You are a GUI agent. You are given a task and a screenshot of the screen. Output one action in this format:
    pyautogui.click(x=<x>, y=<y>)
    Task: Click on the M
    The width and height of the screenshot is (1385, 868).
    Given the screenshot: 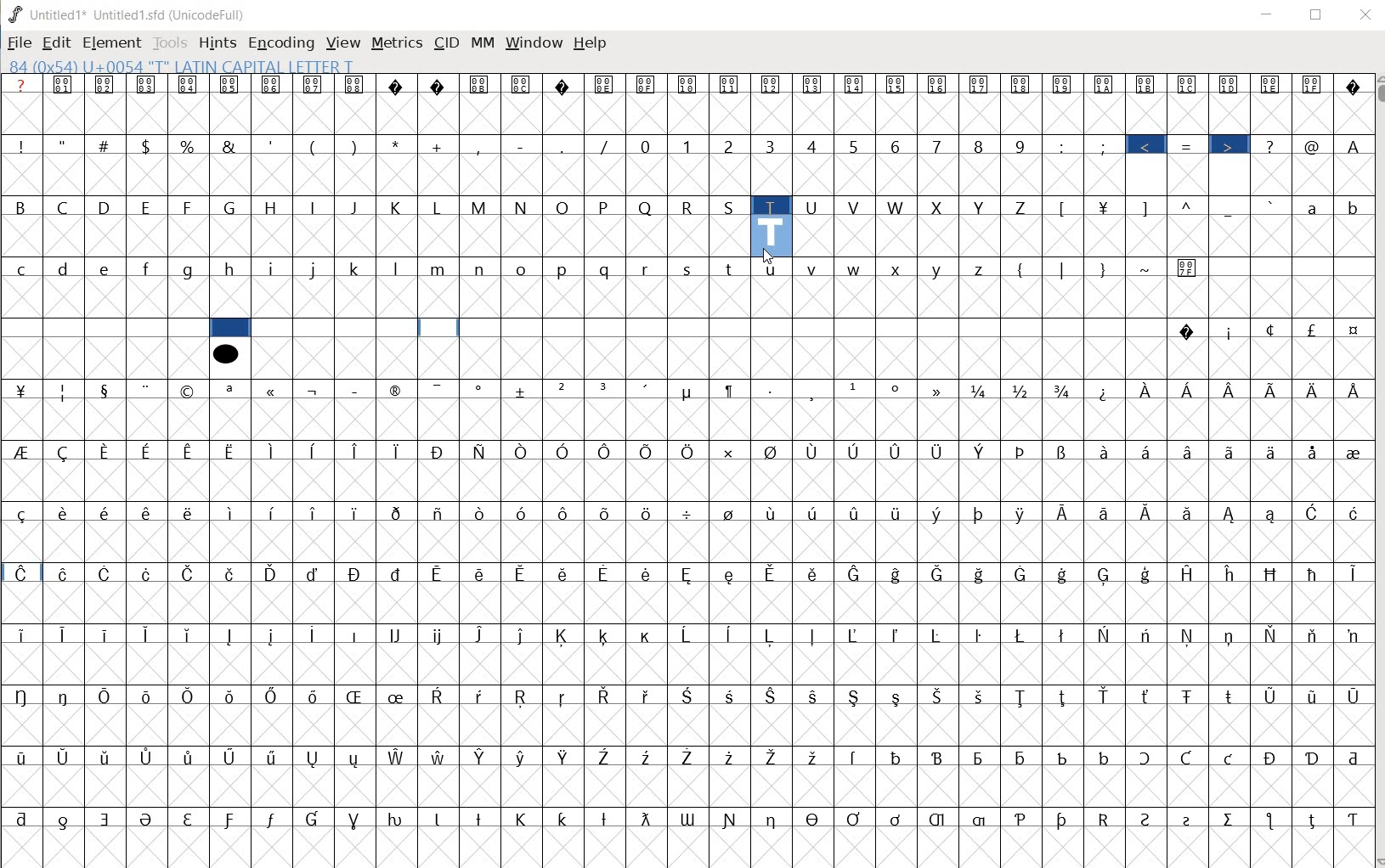 What is the action you would take?
    pyautogui.click(x=481, y=208)
    